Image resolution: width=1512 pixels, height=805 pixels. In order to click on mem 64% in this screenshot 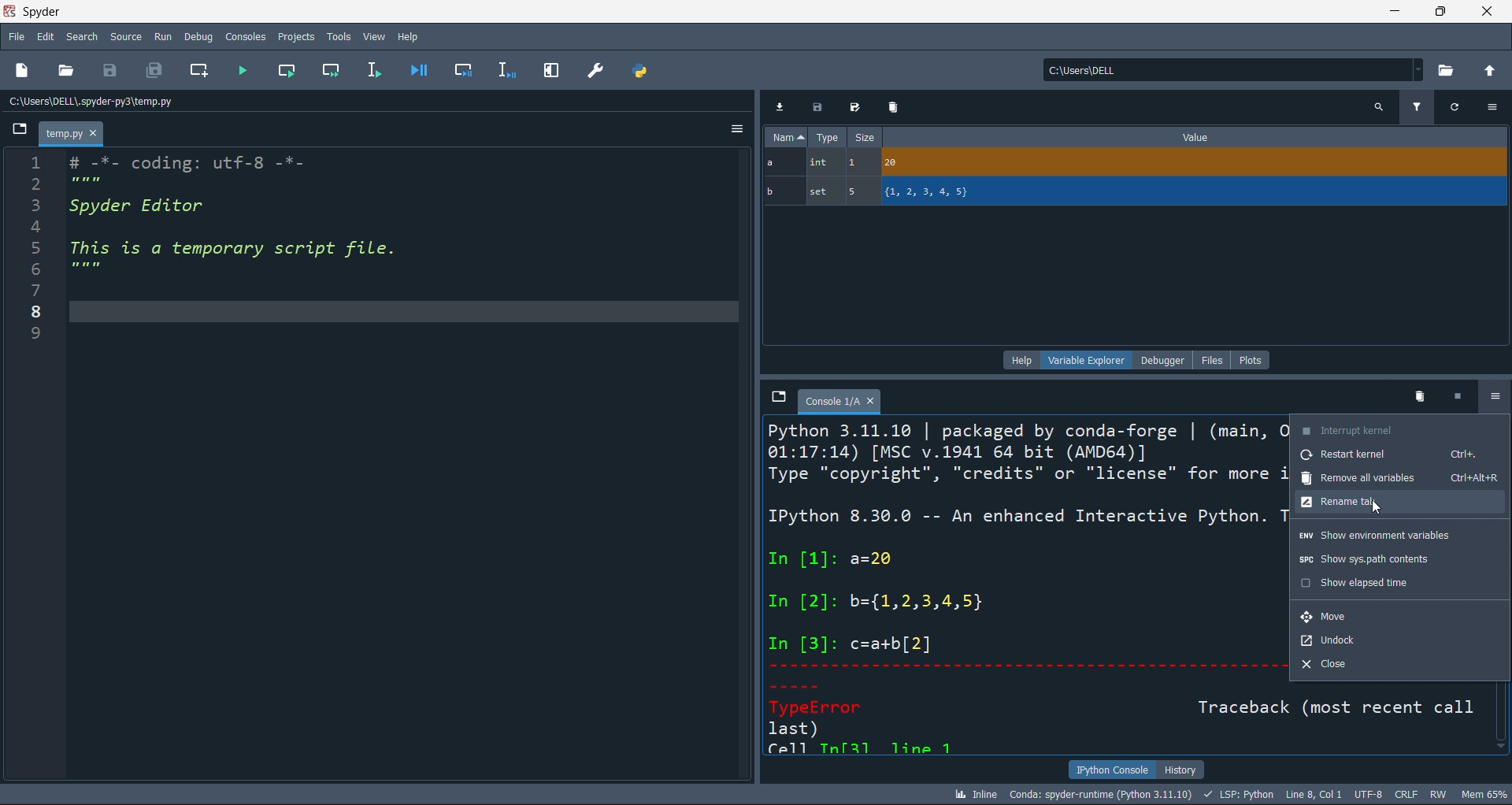, I will do `click(1482, 793)`.